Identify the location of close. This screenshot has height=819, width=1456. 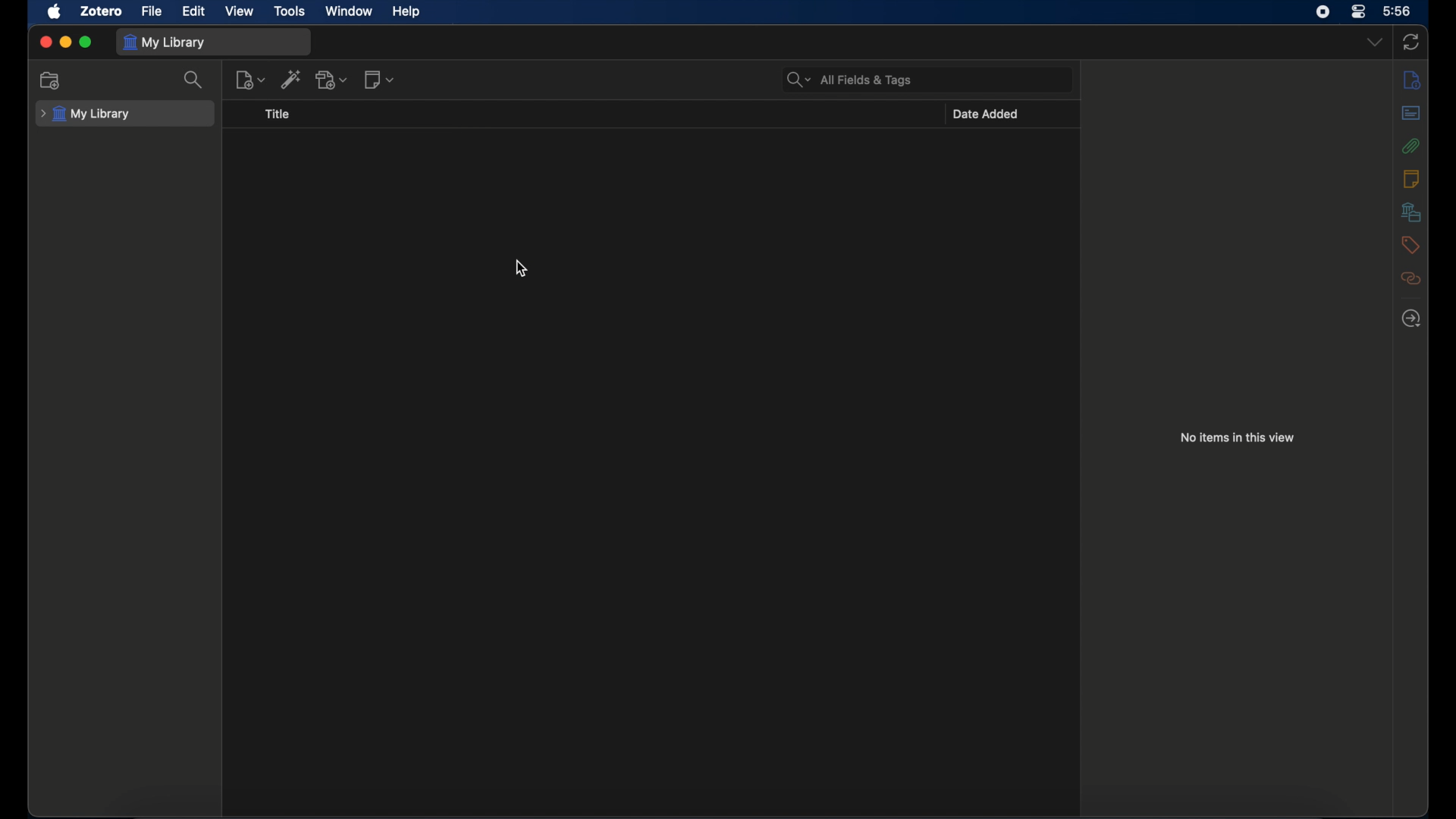
(45, 42).